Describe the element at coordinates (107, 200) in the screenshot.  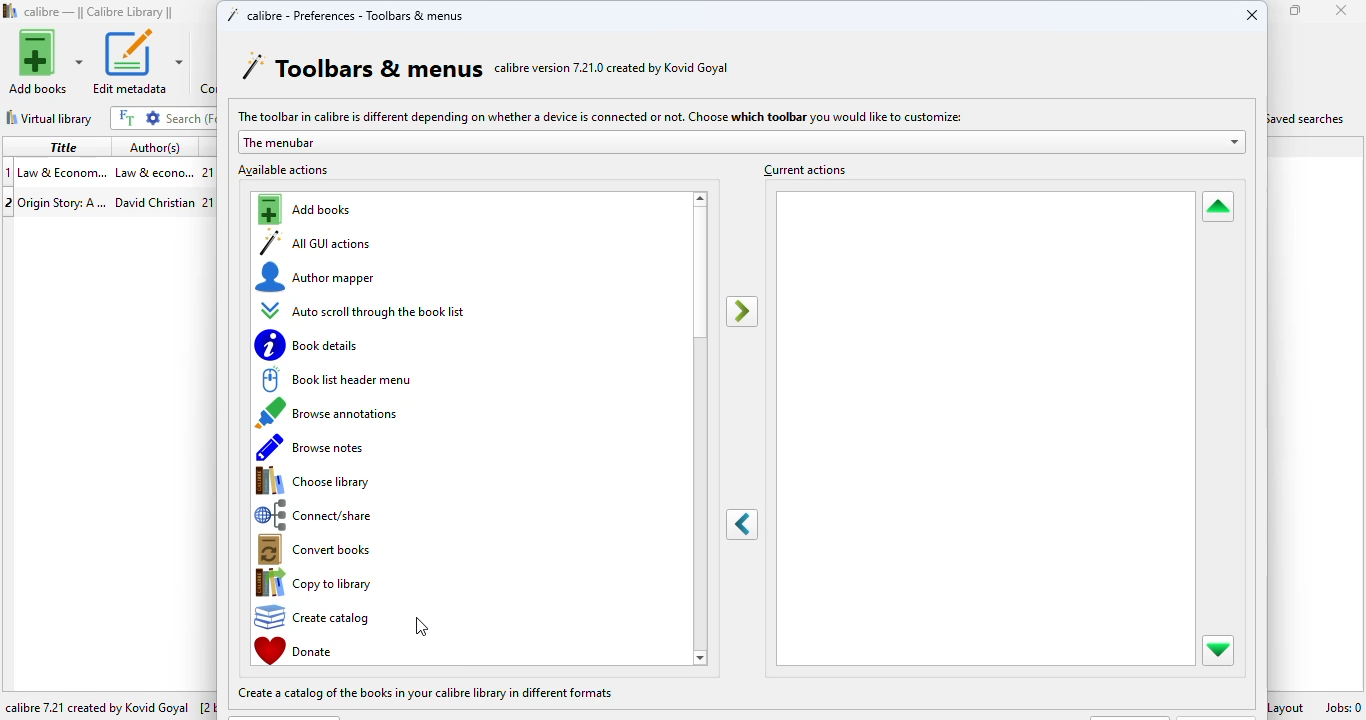
I see `book 2` at that location.